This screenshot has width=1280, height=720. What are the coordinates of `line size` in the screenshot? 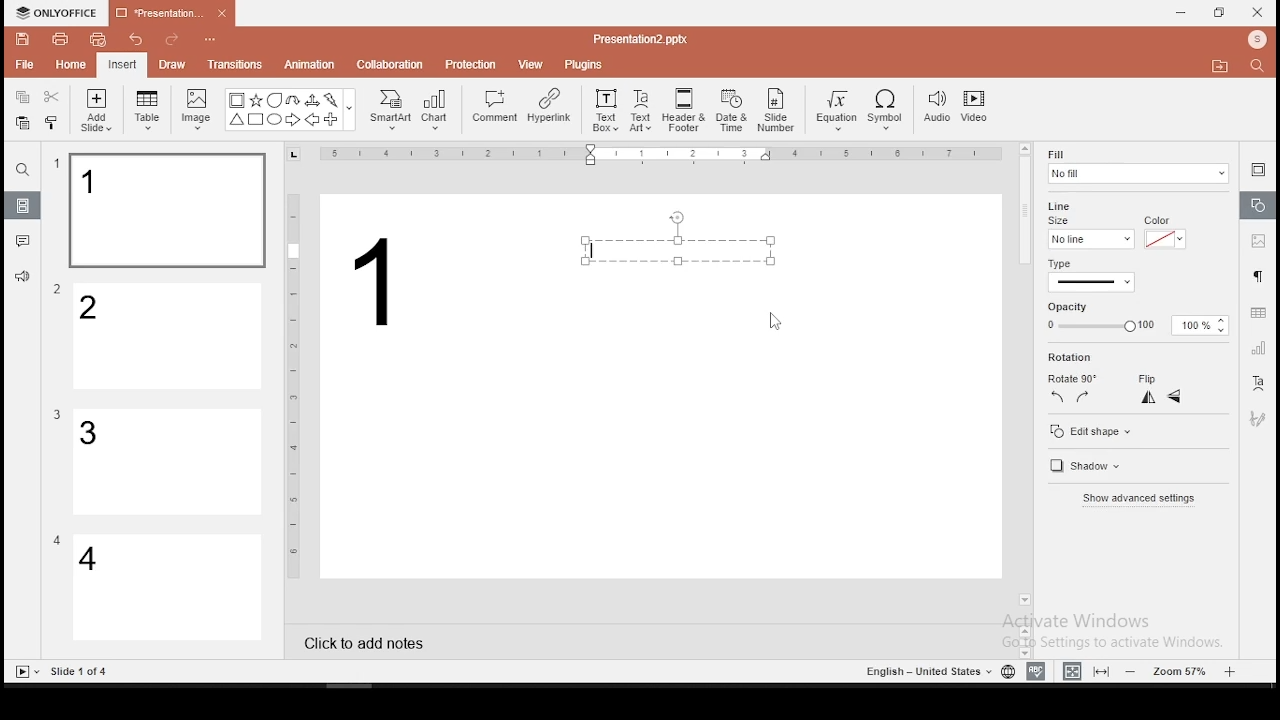 It's located at (1090, 238).